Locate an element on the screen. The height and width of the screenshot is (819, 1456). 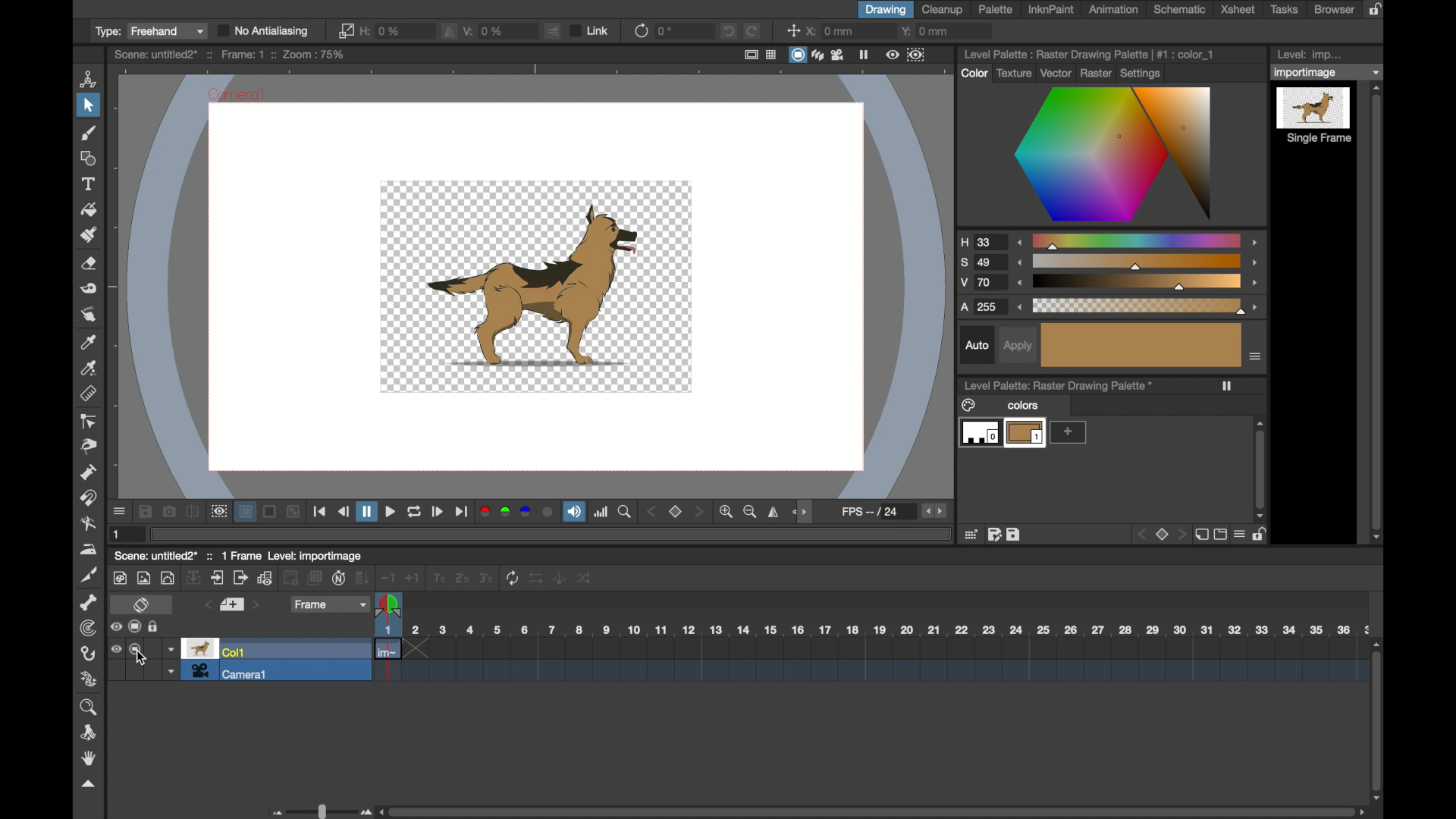
color wheel is located at coordinates (1115, 156).